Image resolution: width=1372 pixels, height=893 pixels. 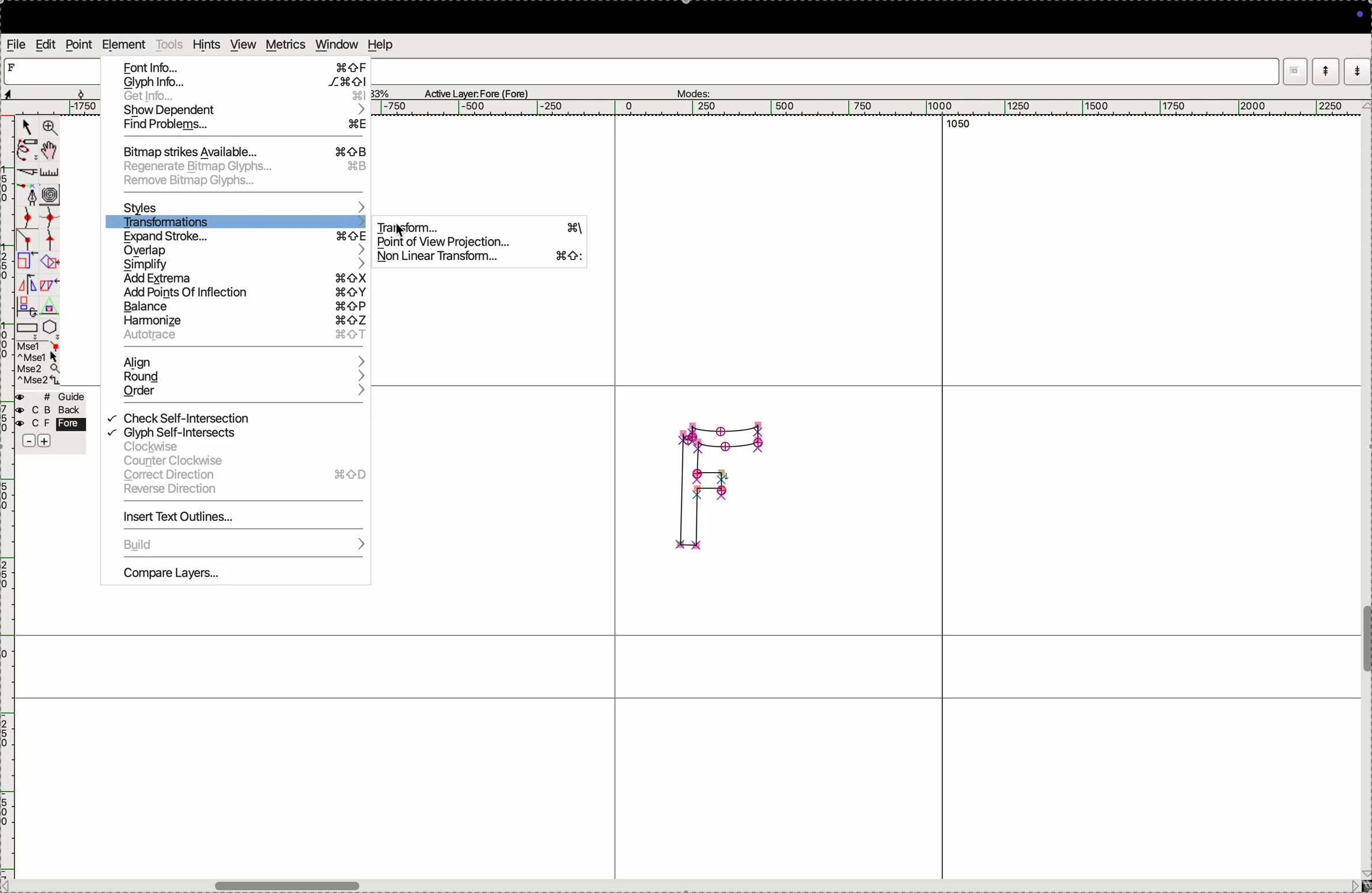 What do you see at coordinates (244, 265) in the screenshot?
I see `simplyfy` at bounding box center [244, 265].